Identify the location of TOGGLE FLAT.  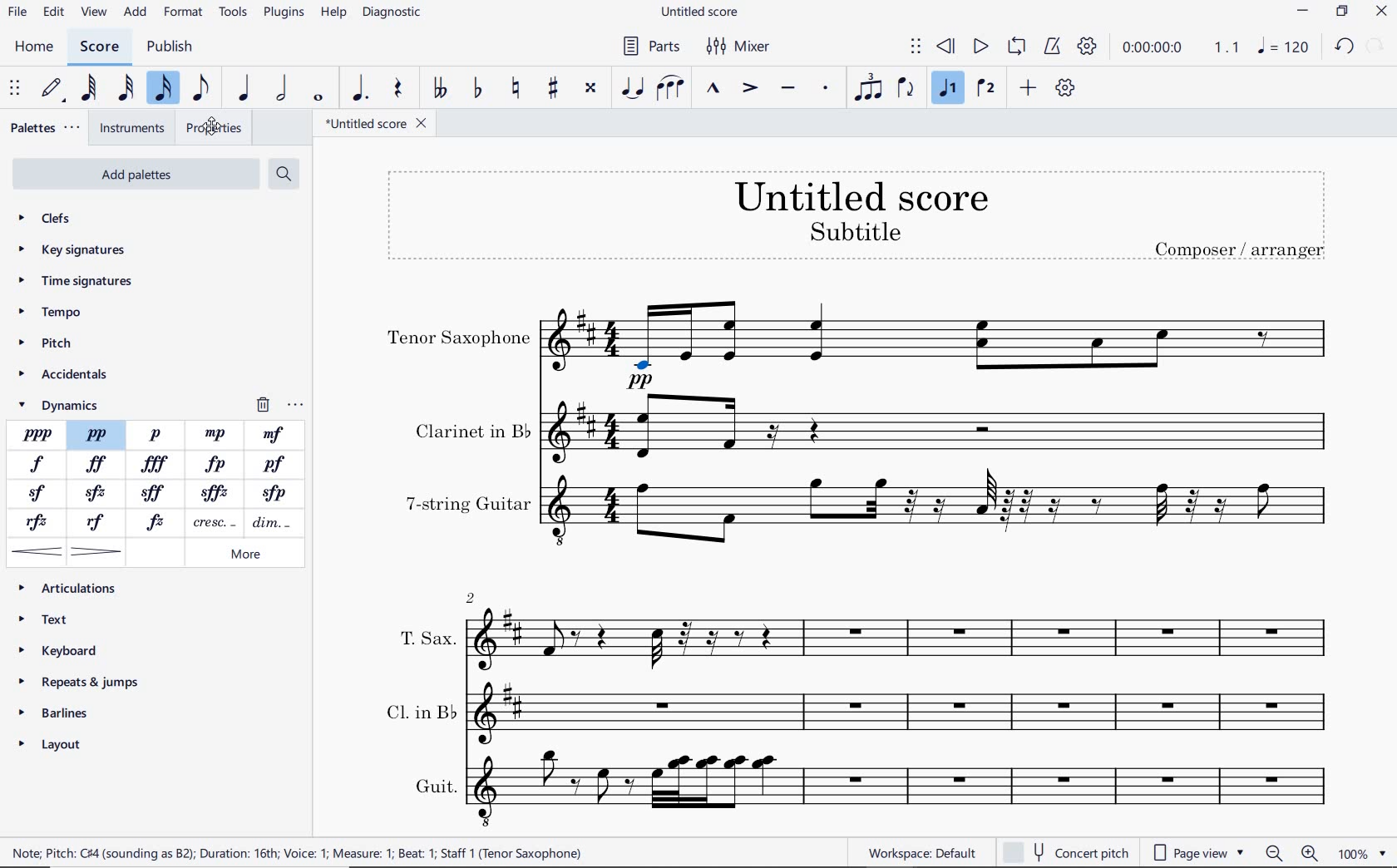
(477, 87).